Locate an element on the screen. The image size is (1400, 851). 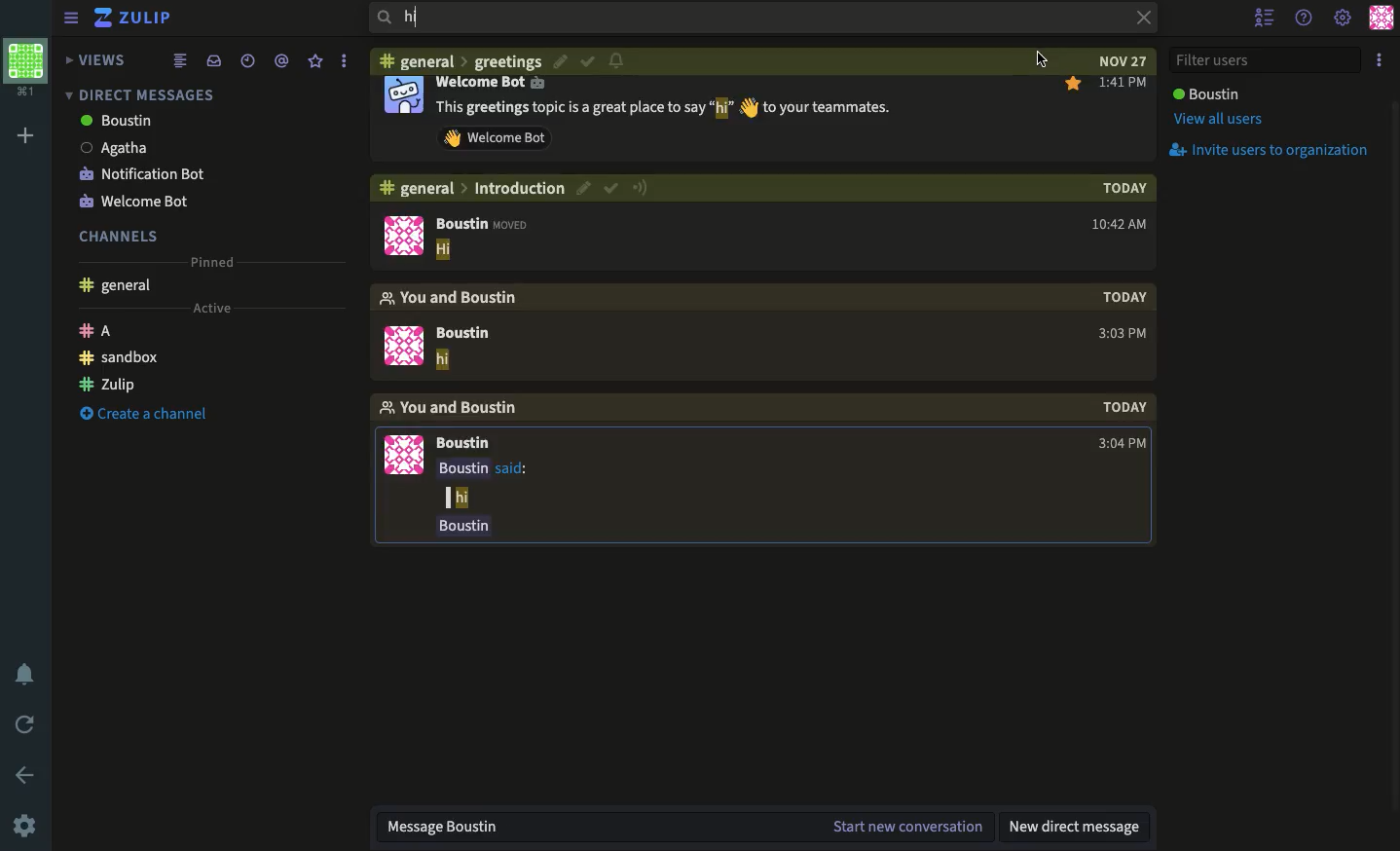
today is located at coordinates (1118, 187).